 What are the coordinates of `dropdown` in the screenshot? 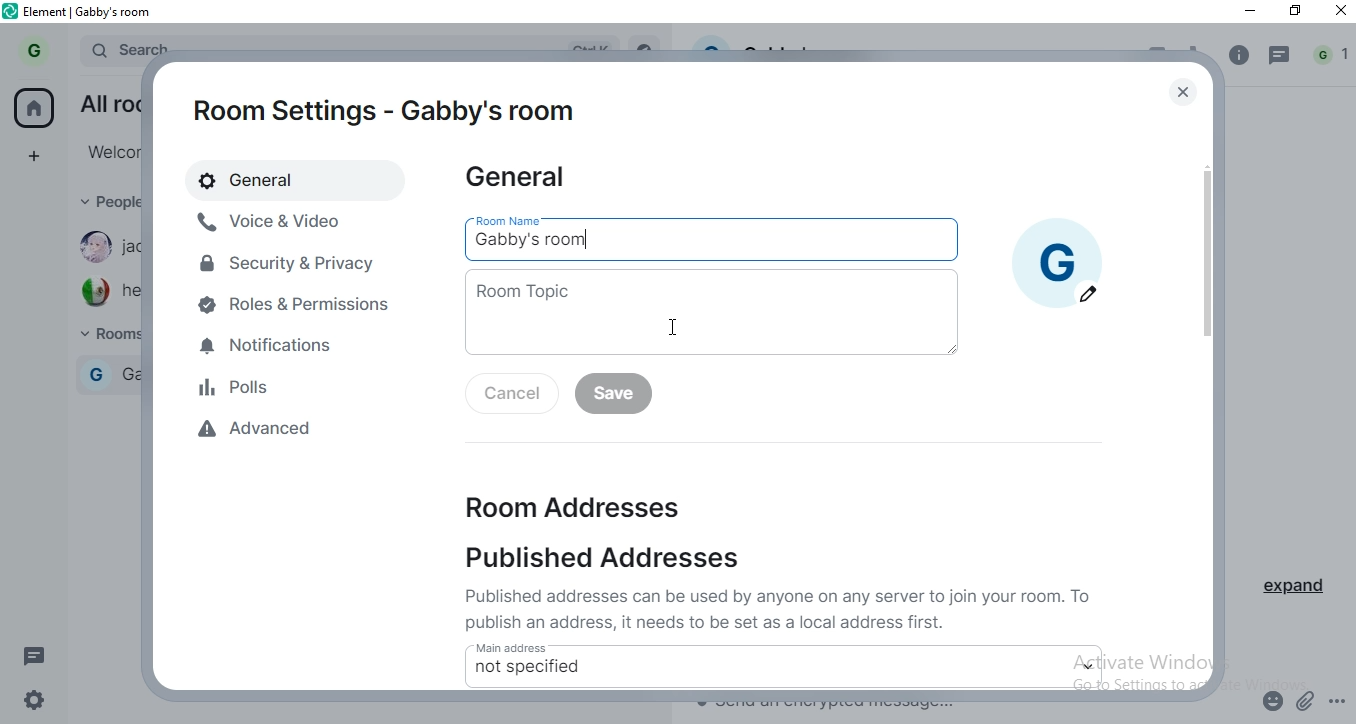 It's located at (1085, 666).